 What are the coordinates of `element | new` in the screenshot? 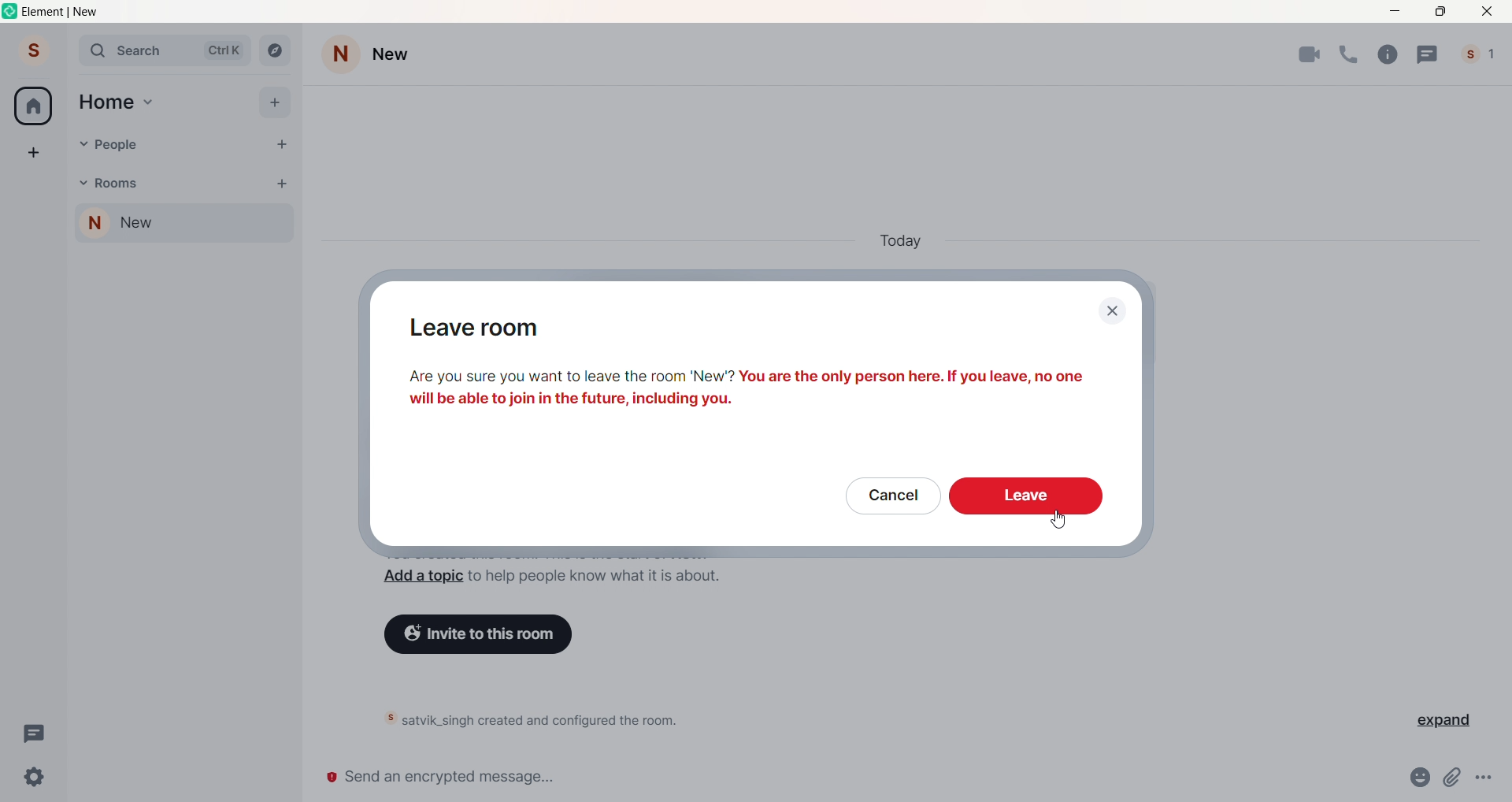 It's located at (76, 13).